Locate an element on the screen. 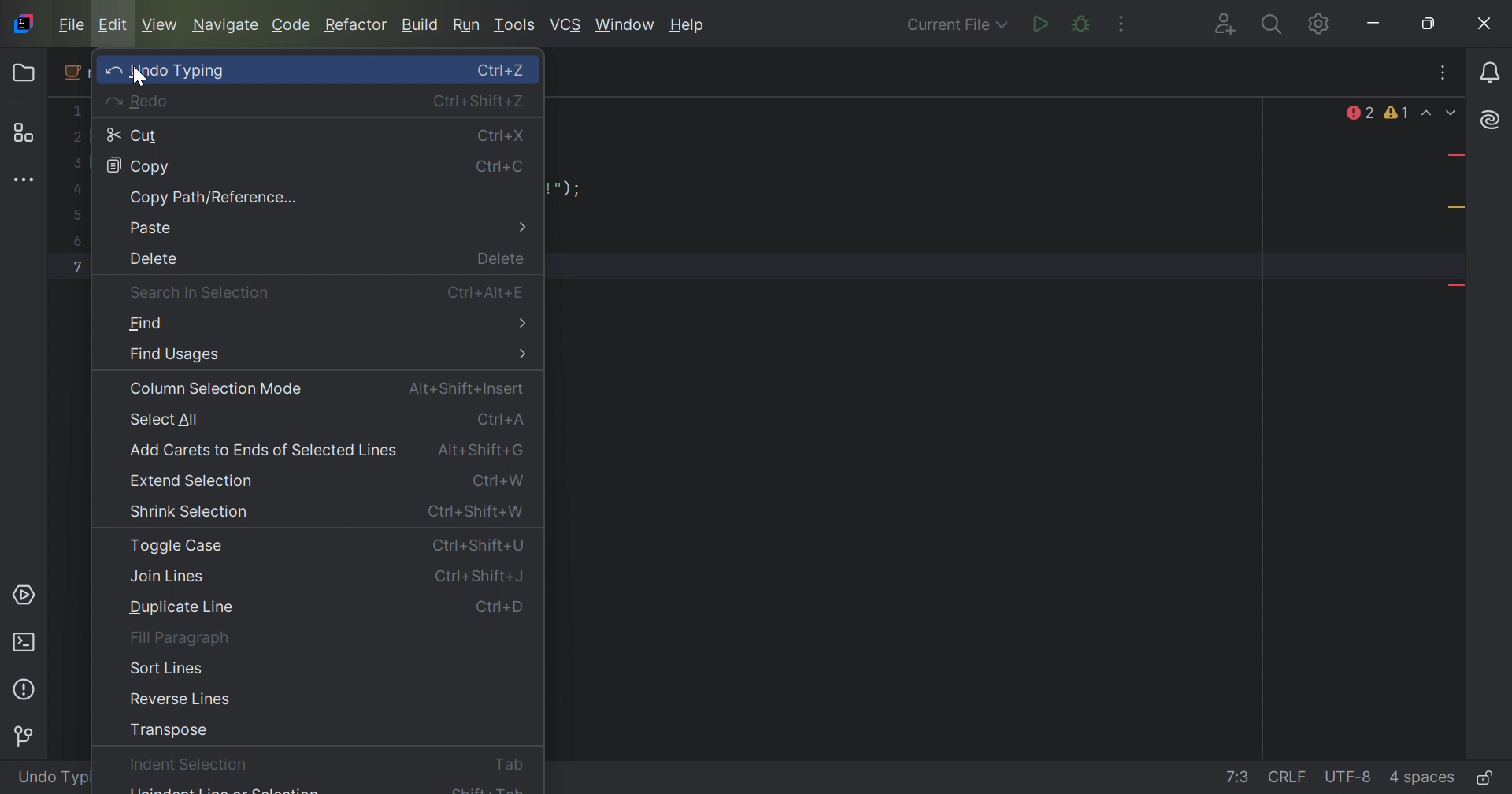 The width and height of the screenshot is (1512, 794). Version control is located at coordinates (28, 737).